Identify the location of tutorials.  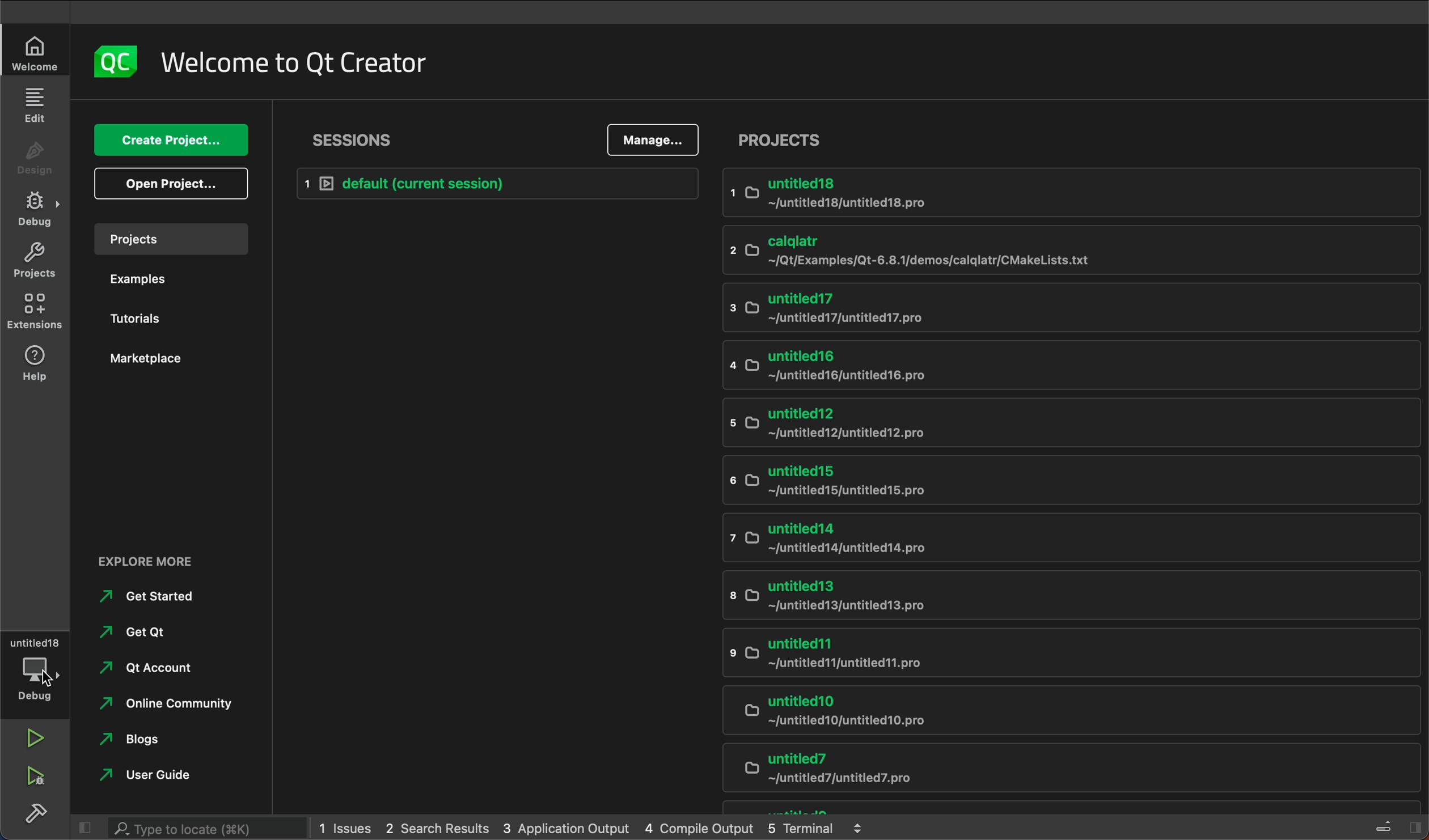
(168, 320).